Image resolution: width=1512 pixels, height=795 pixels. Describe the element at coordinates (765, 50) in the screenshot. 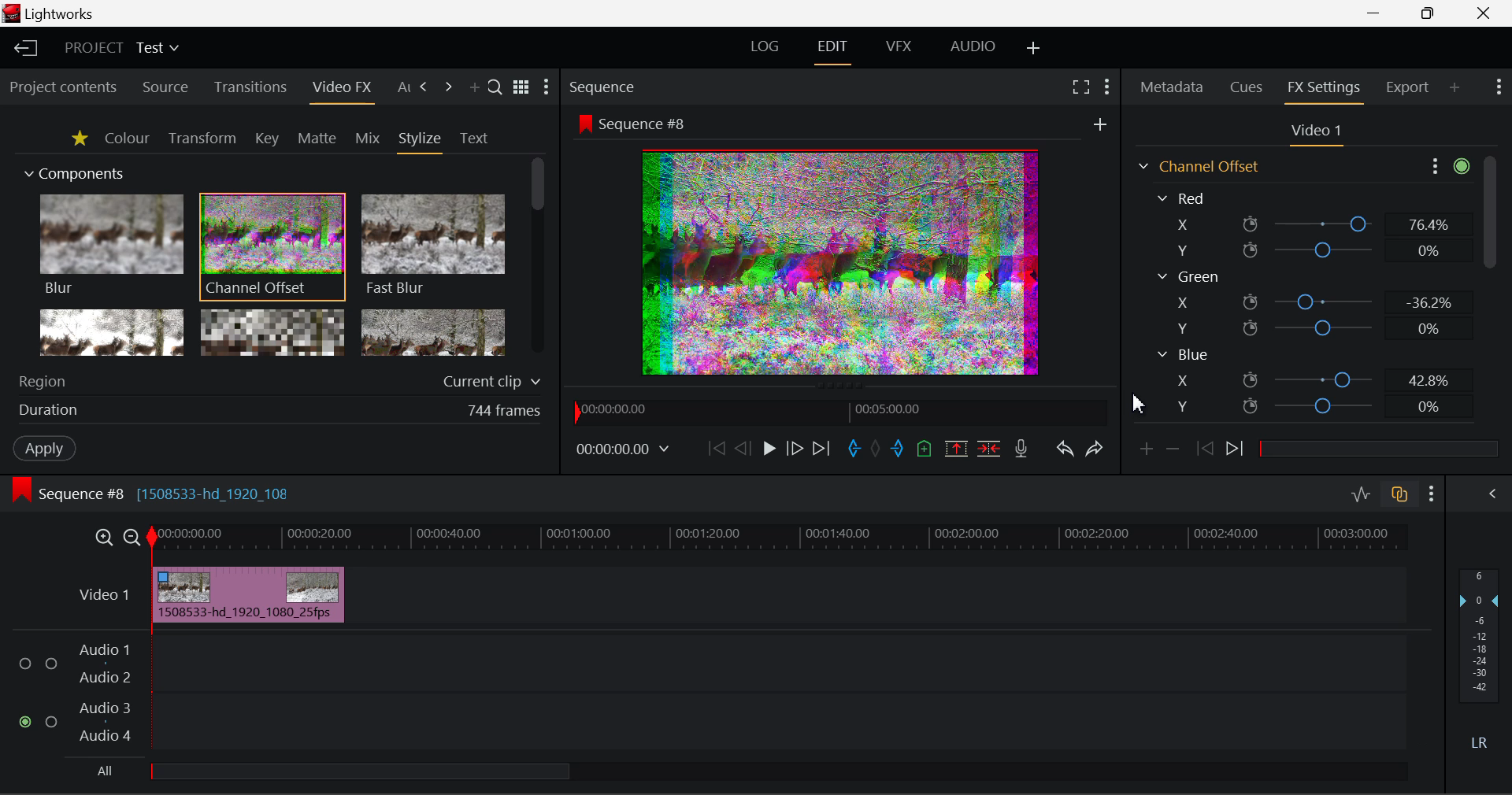

I see `LOG Layout` at that location.